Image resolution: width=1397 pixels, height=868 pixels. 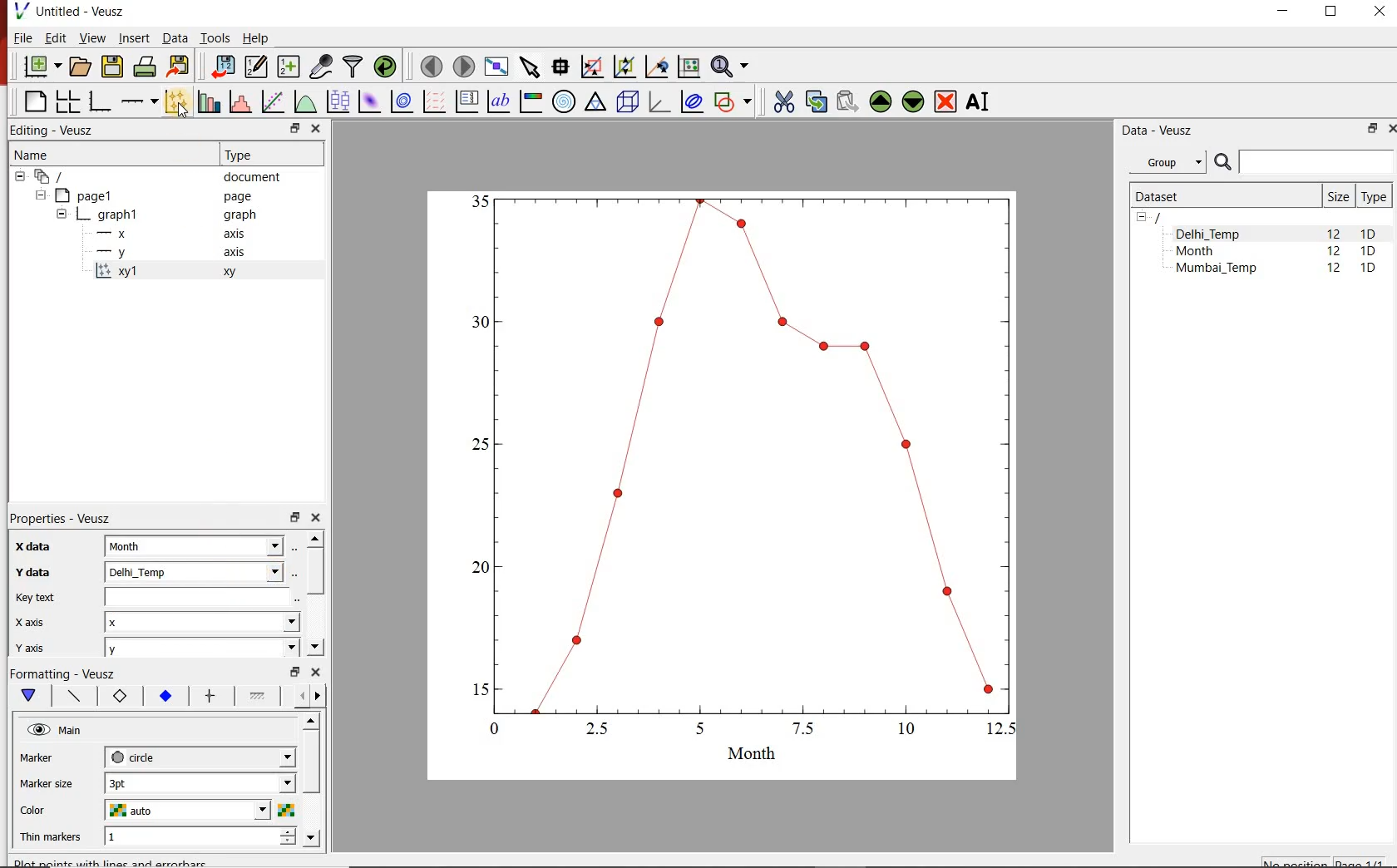 I want to click on Main, so click(x=57, y=730).